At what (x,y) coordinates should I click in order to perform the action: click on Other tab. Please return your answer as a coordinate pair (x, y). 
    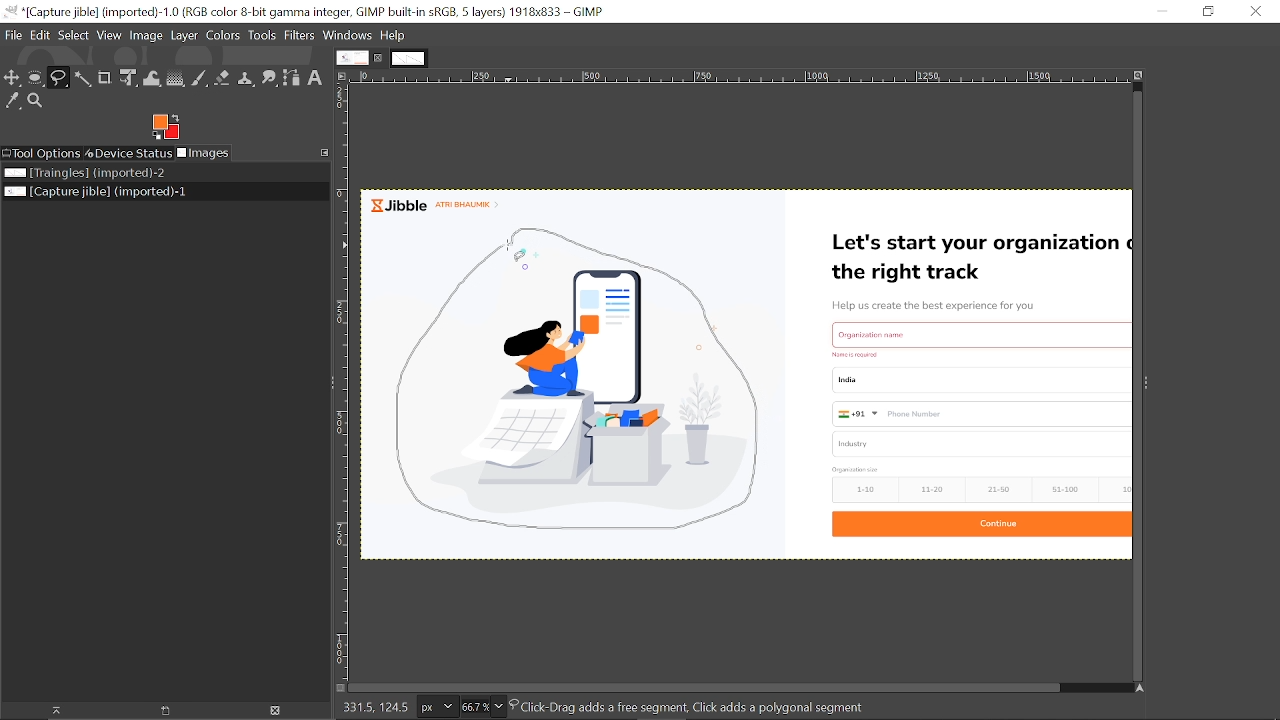
    Looking at the image, I should click on (408, 58).